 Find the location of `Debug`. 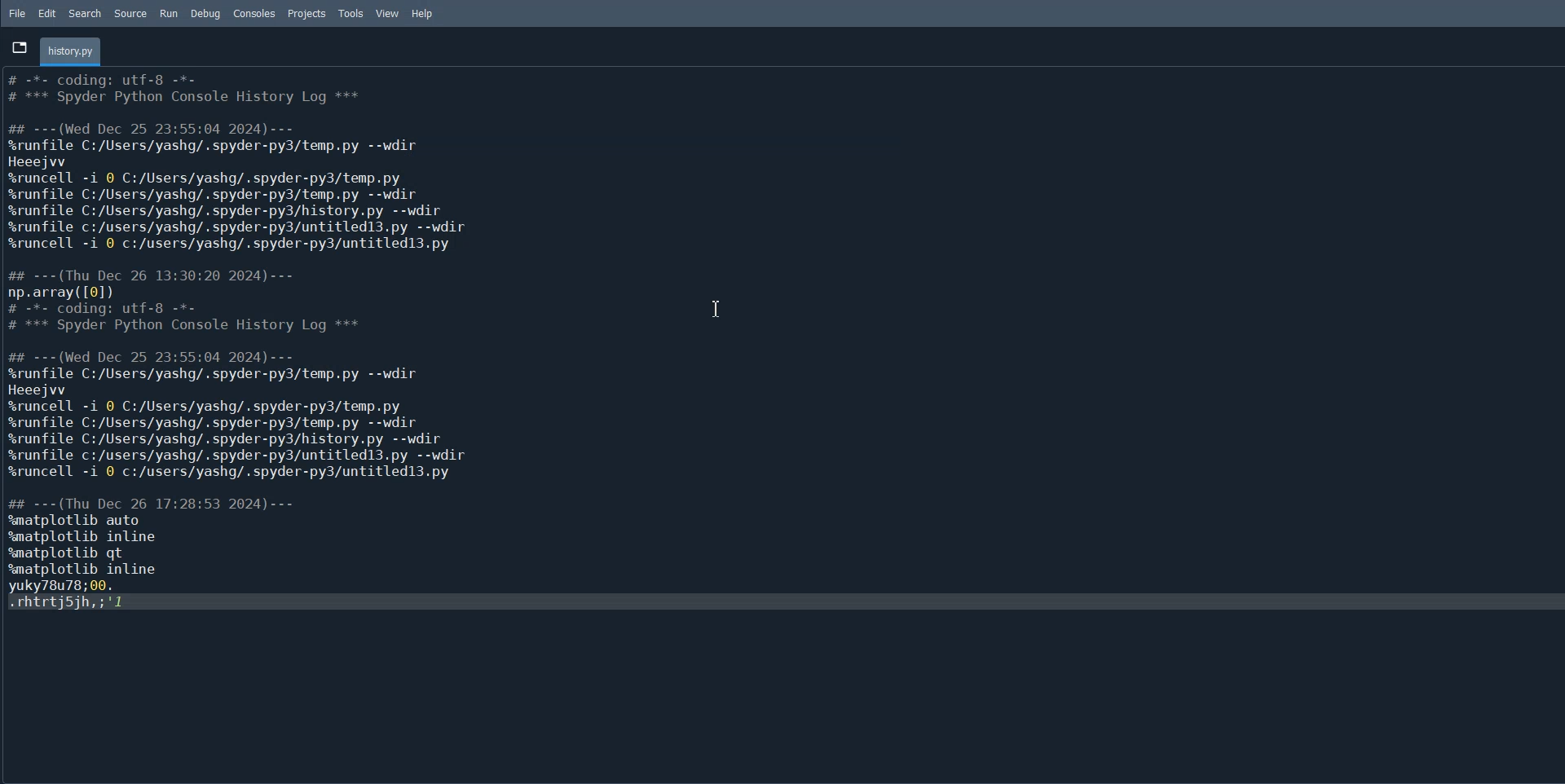

Debug is located at coordinates (205, 14).